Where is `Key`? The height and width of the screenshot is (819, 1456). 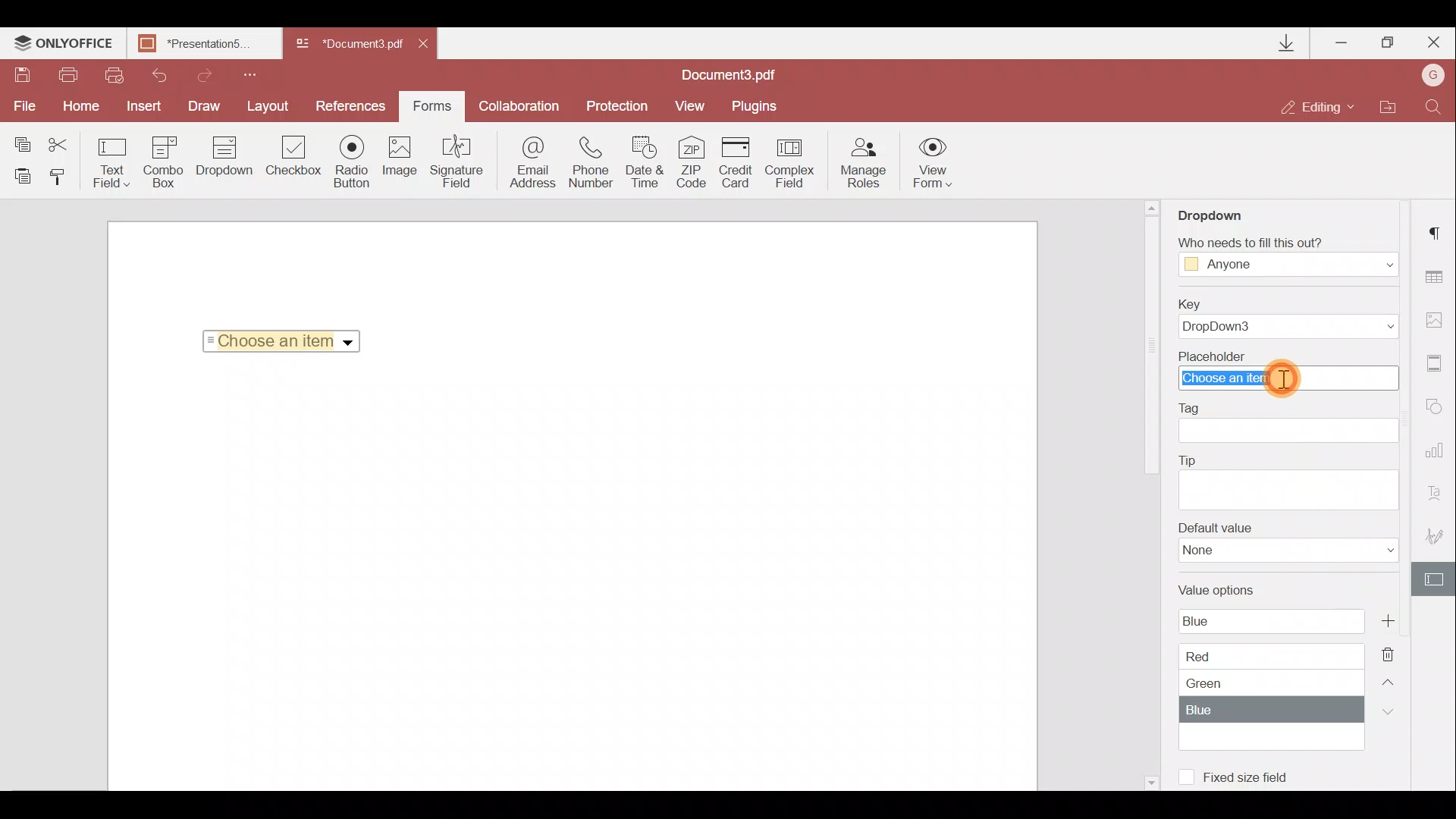 Key is located at coordinates (1292, 317).